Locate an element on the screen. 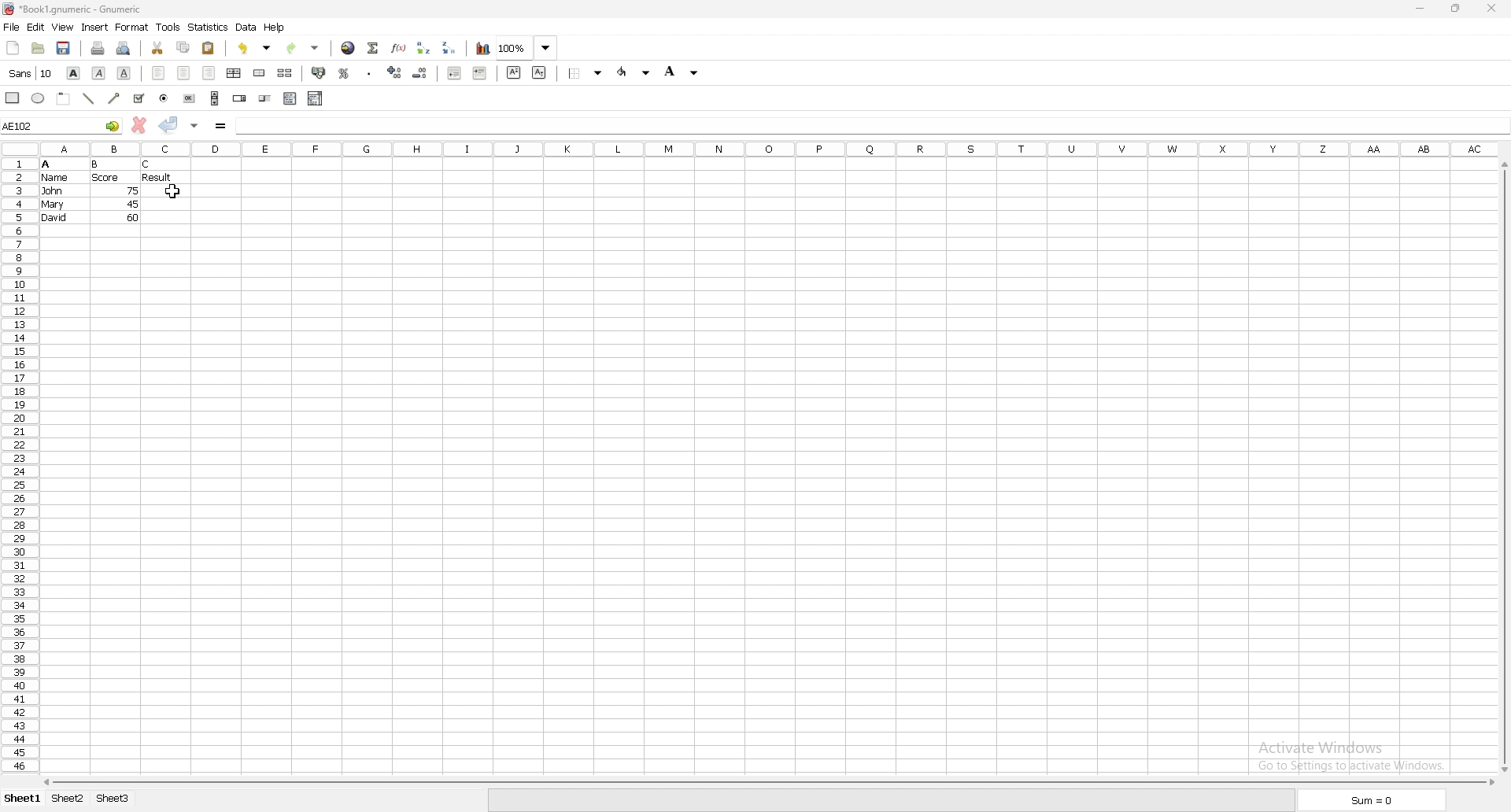 The height and width of the screenshot is (812, 1511). sum is located at coordinates (1376, 799).